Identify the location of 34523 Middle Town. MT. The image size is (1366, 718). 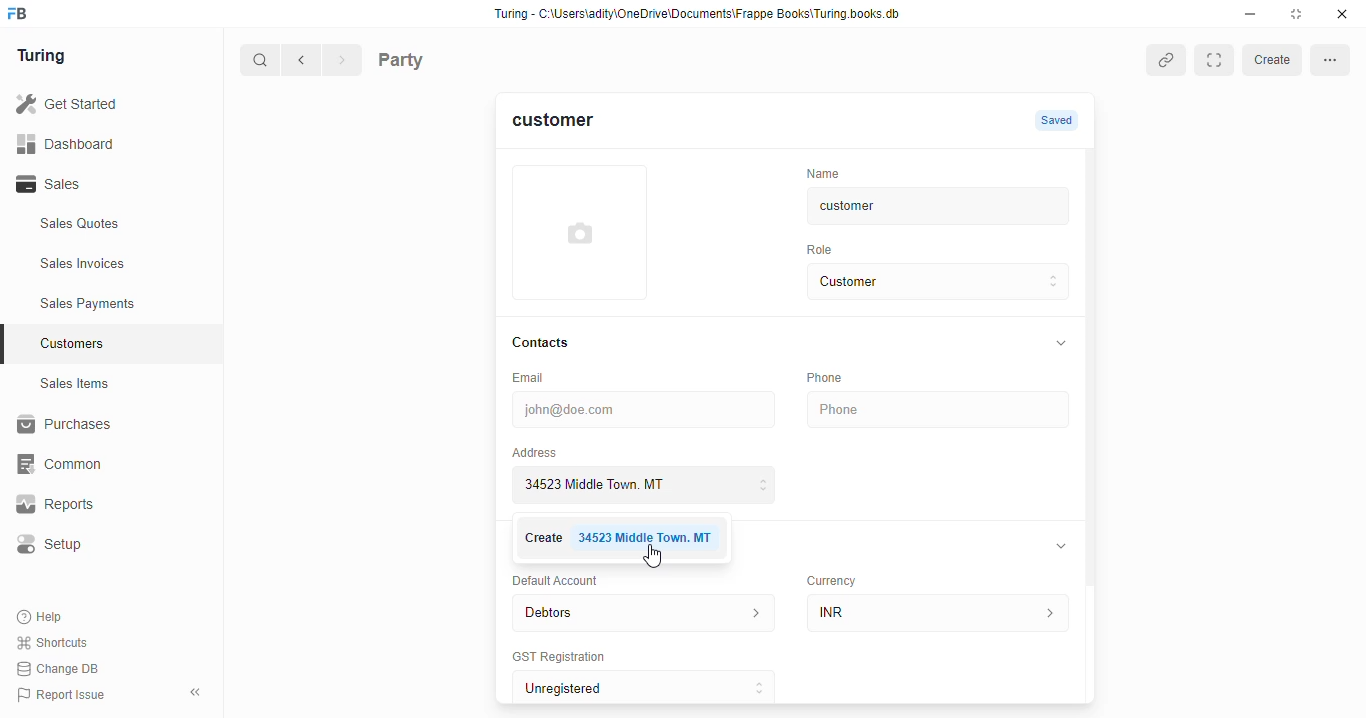
(643, 483).